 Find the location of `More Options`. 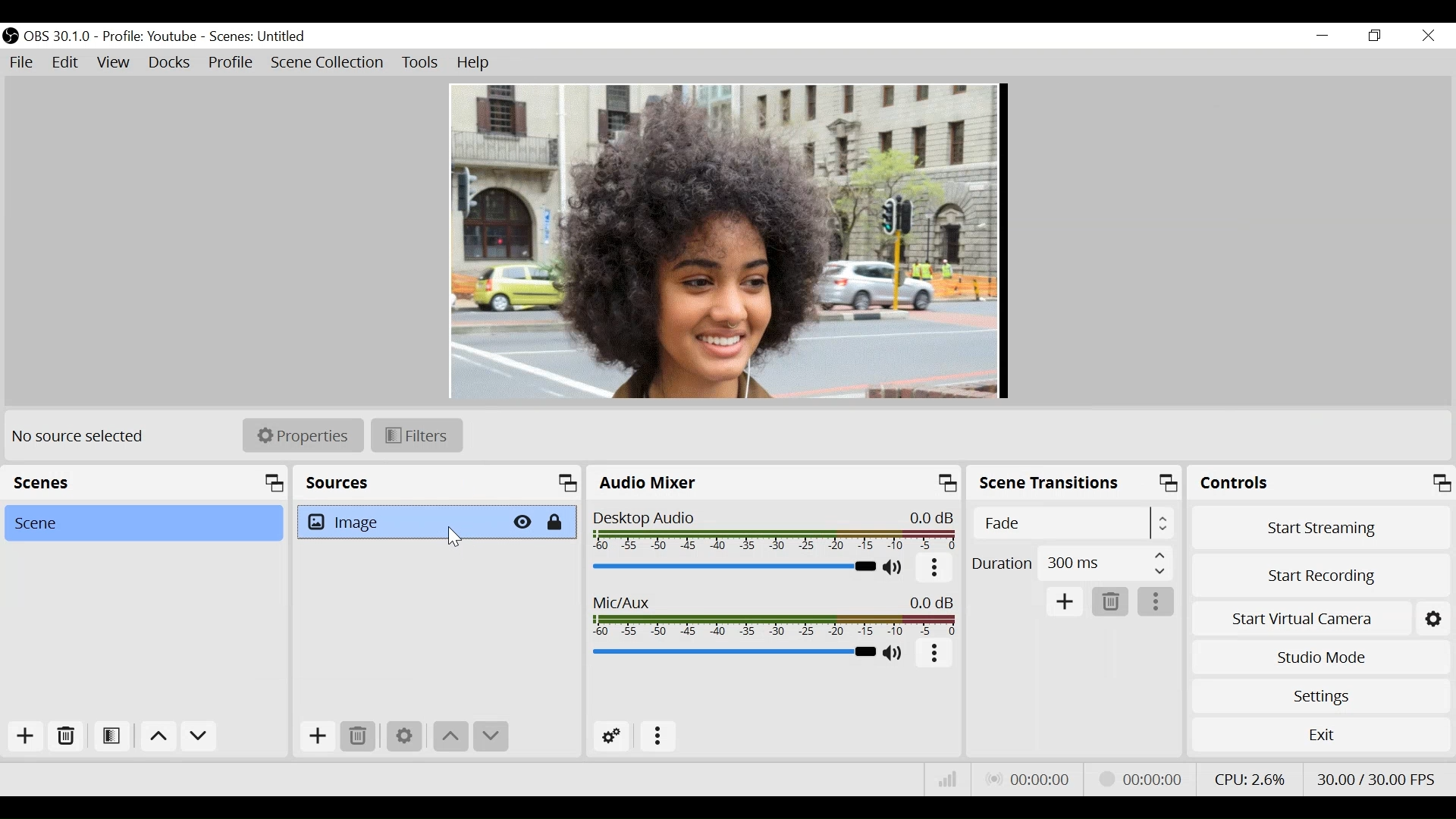

More Options is located at coordinates (937, 656).